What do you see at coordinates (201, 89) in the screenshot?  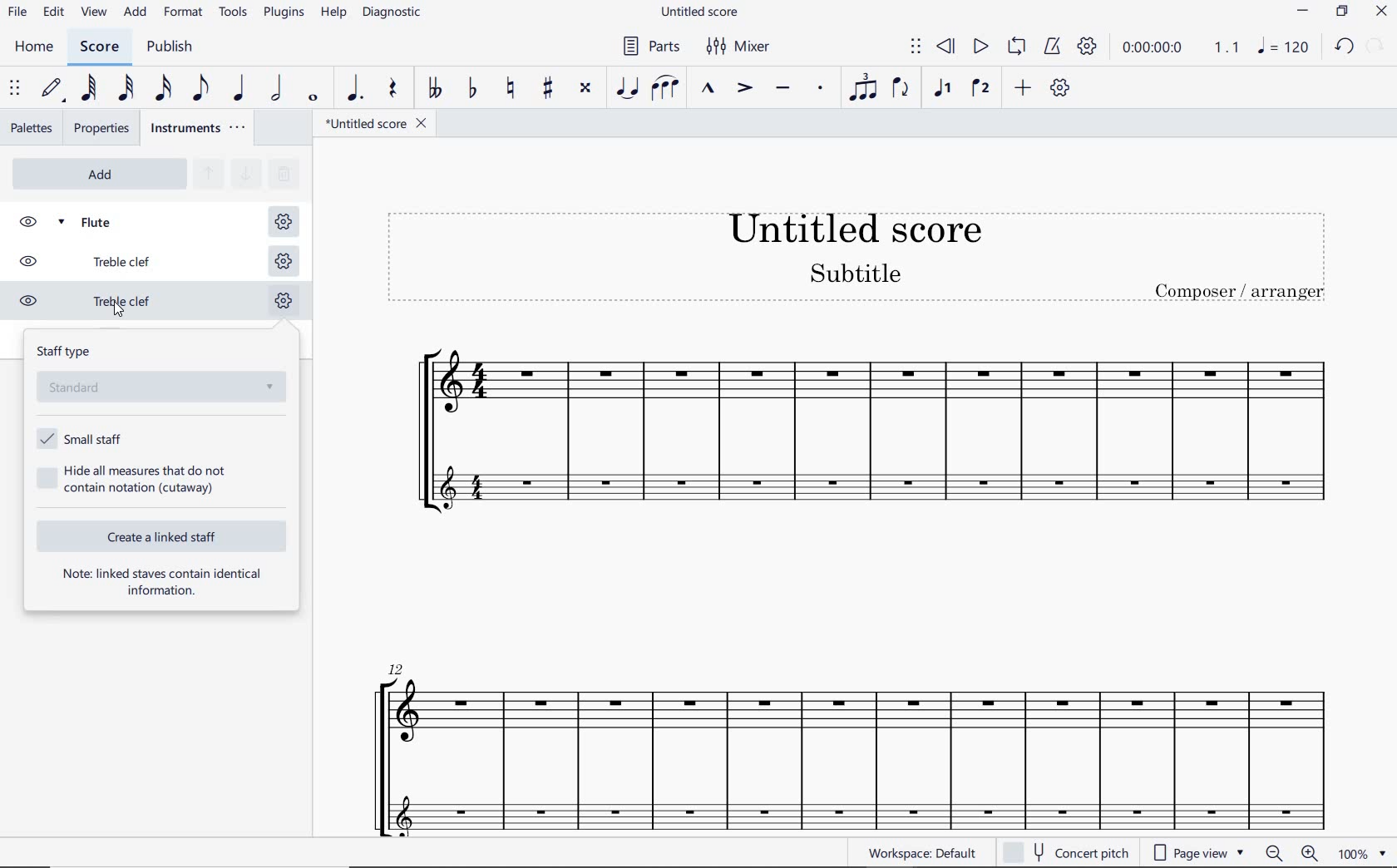 I see `EIGHTH NOTE` at bounding box center [201, 89].